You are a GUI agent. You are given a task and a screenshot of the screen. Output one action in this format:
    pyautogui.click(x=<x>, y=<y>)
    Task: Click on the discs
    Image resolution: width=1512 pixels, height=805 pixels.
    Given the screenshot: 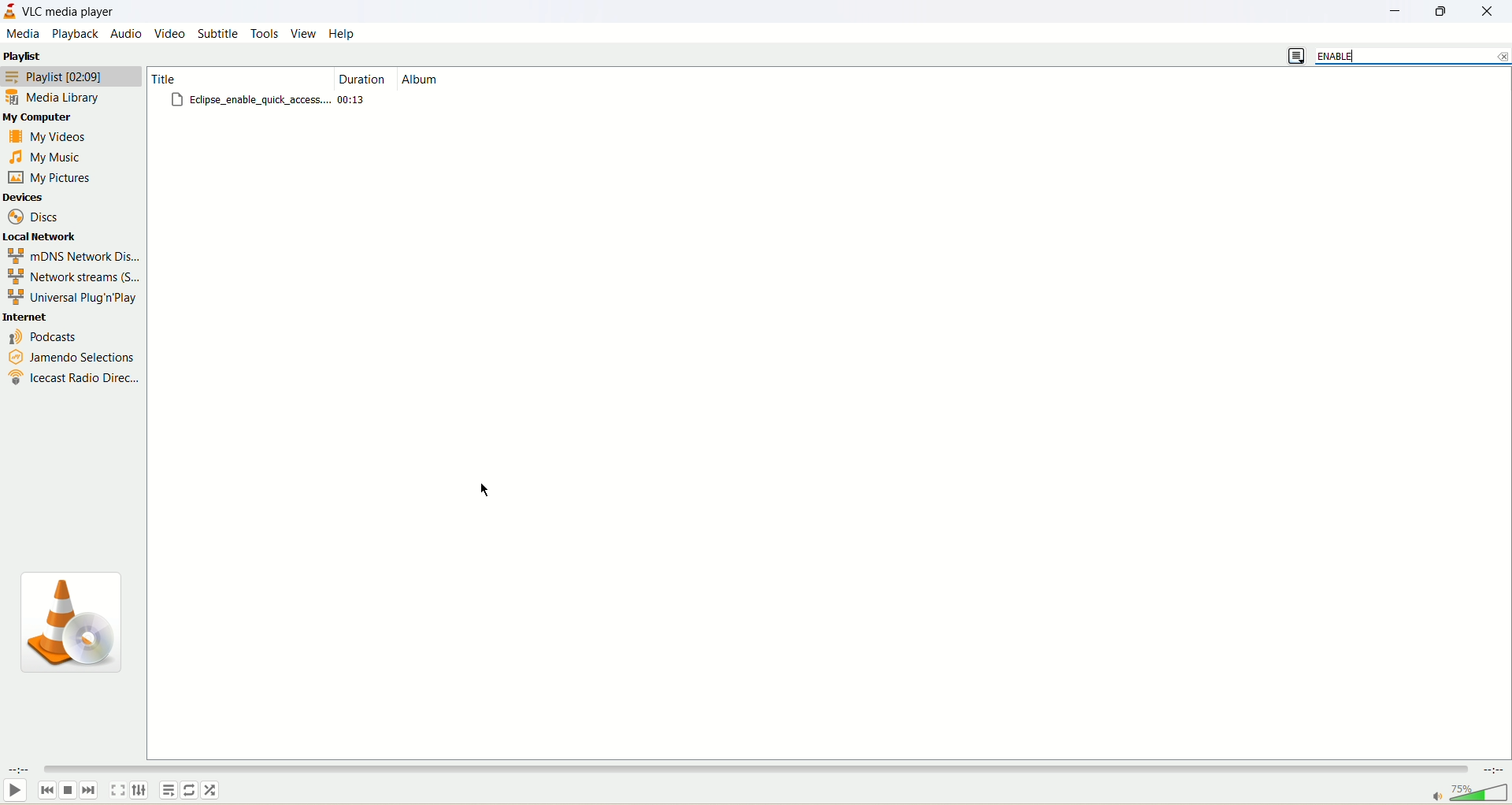 What is the action you would take?
    pyautogui.click(x=44, y=217)
    